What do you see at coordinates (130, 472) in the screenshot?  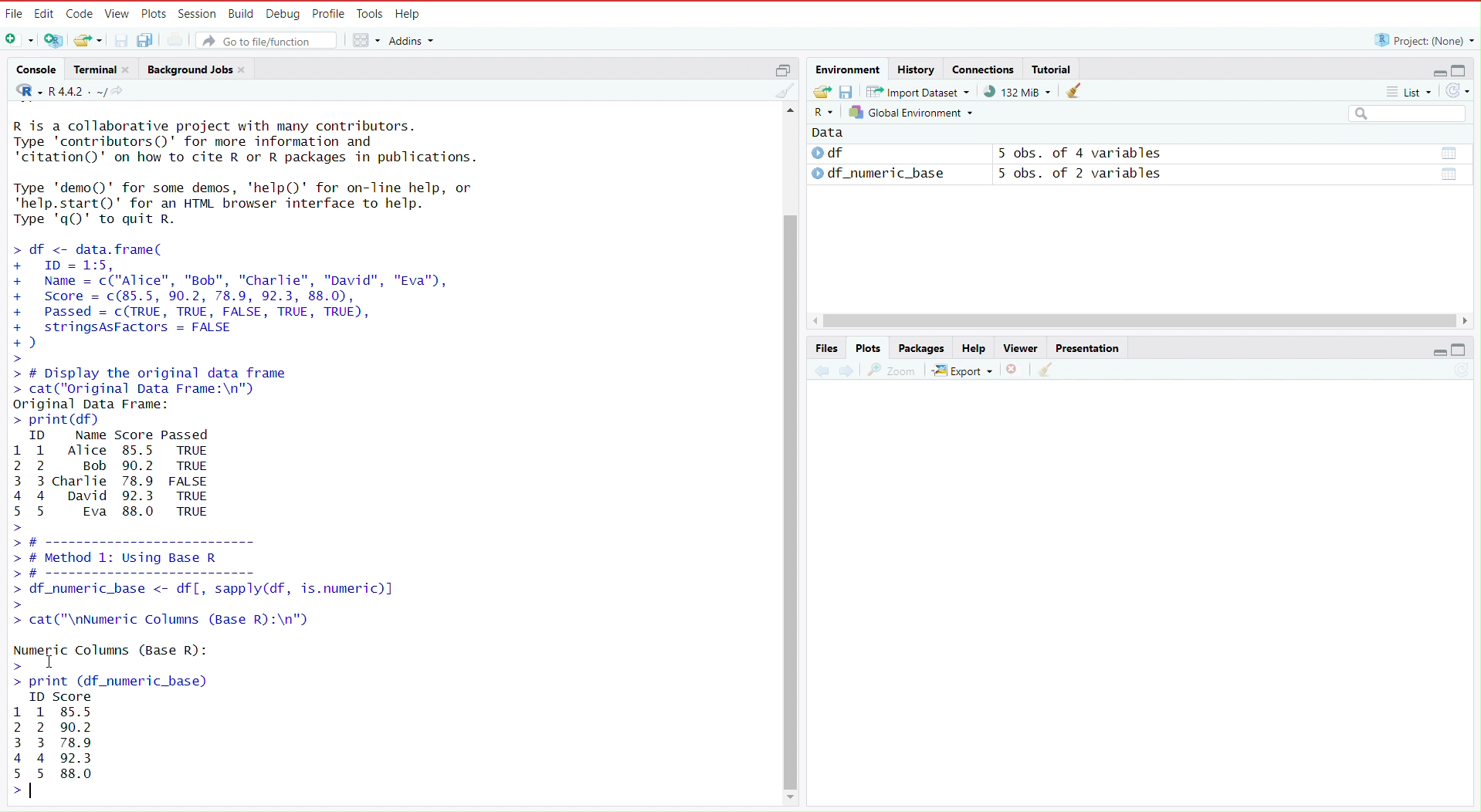 I see `passing score table` at bounding box center [130, 472].